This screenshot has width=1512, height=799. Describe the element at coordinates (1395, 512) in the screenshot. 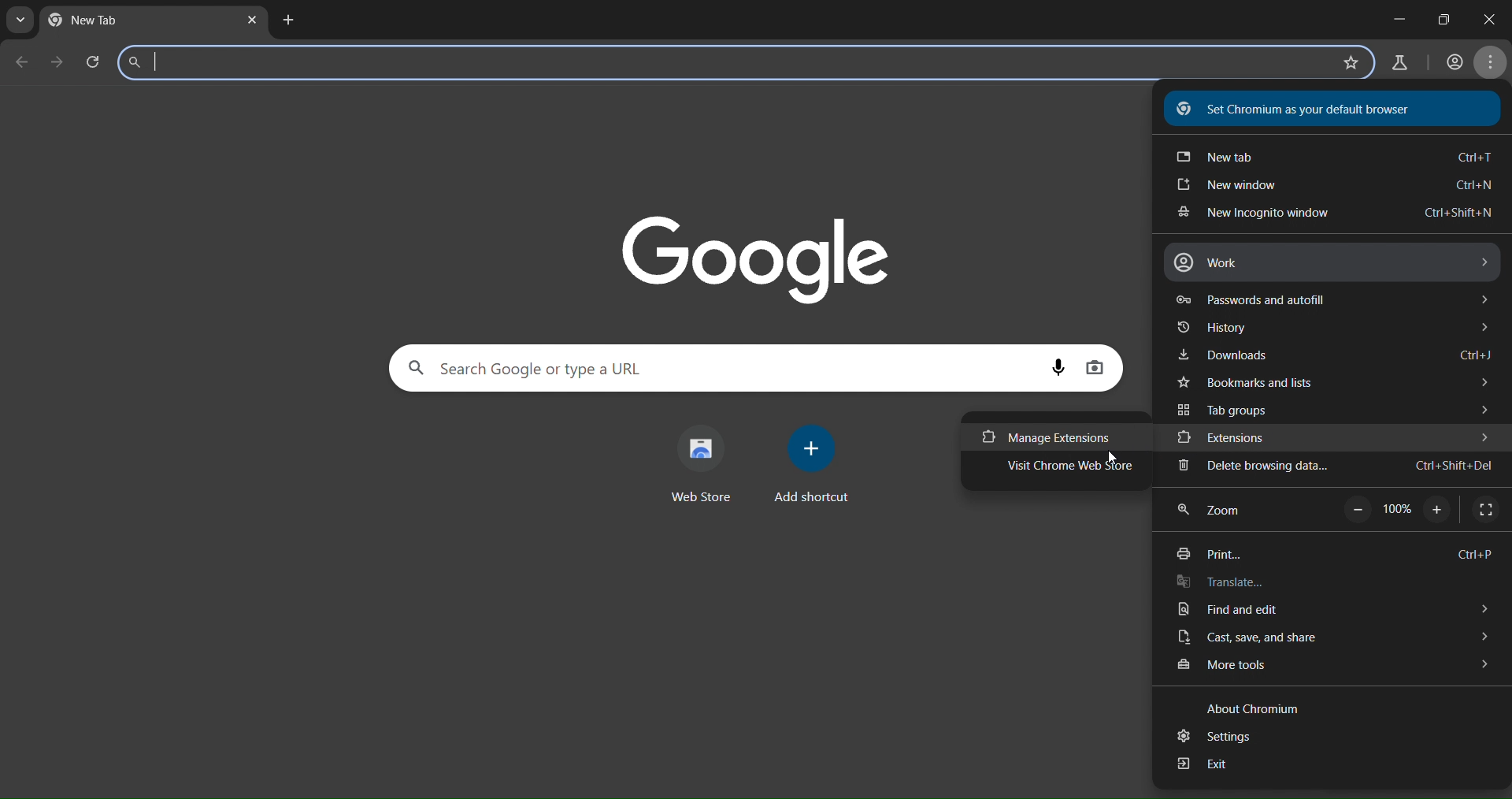

I see `100%` at that location.